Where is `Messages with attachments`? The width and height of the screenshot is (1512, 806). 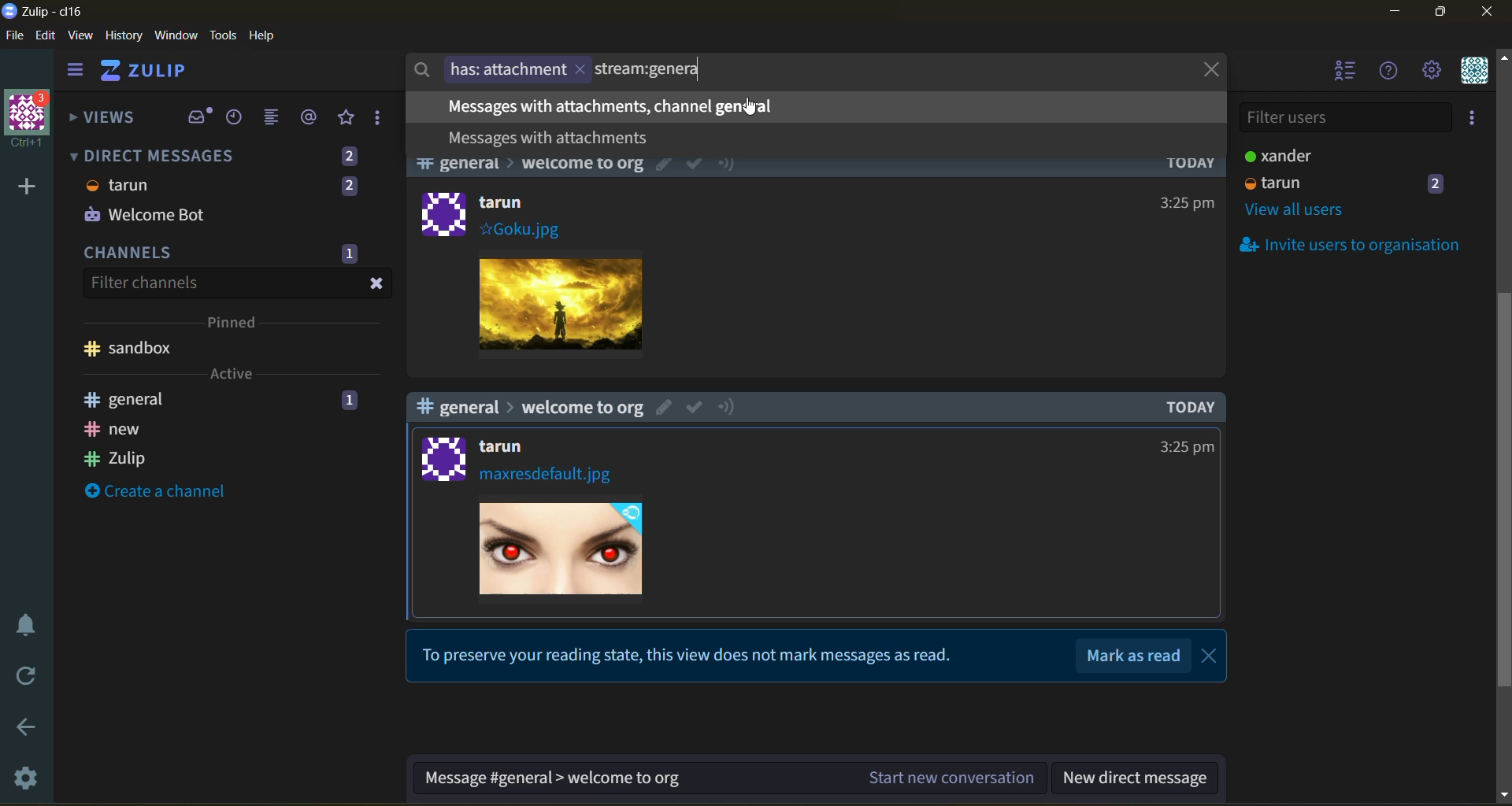 Messages with attachments is located at coordinates (545, 139).